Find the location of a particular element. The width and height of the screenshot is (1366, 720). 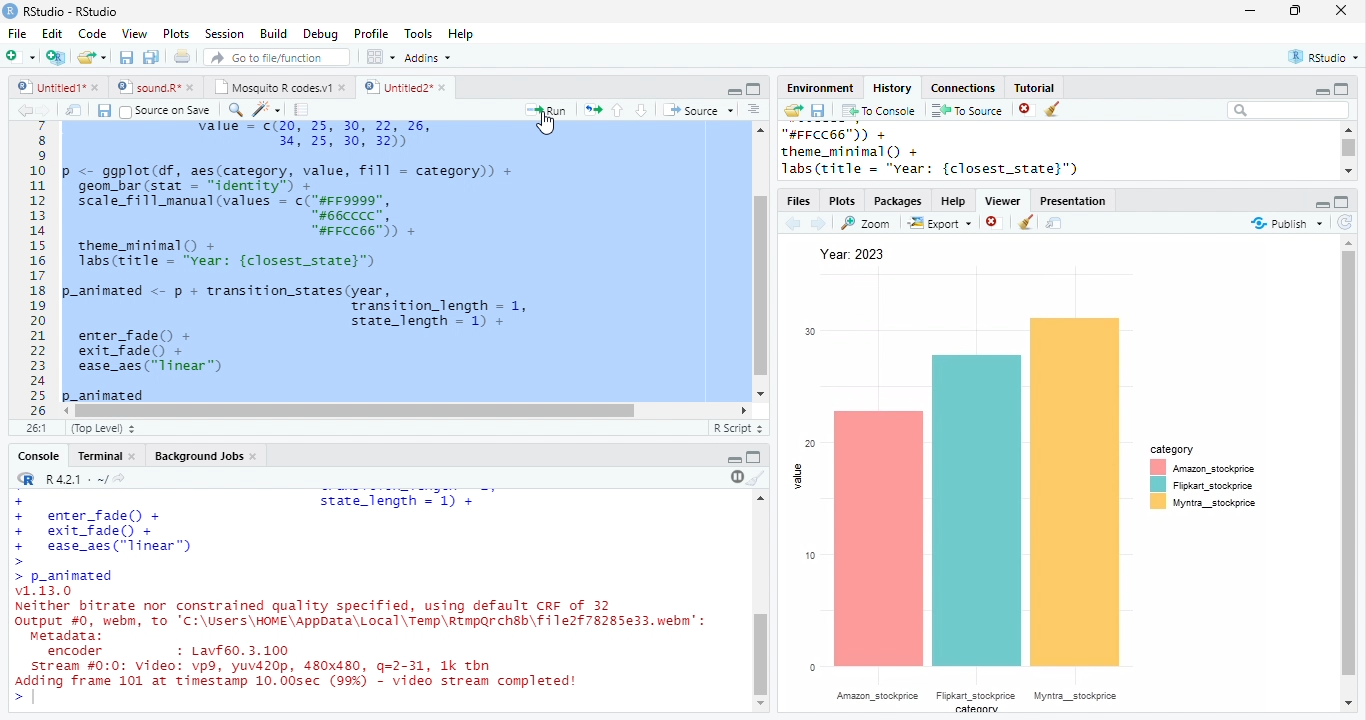

scroll left is located at coordinates (744, 410).